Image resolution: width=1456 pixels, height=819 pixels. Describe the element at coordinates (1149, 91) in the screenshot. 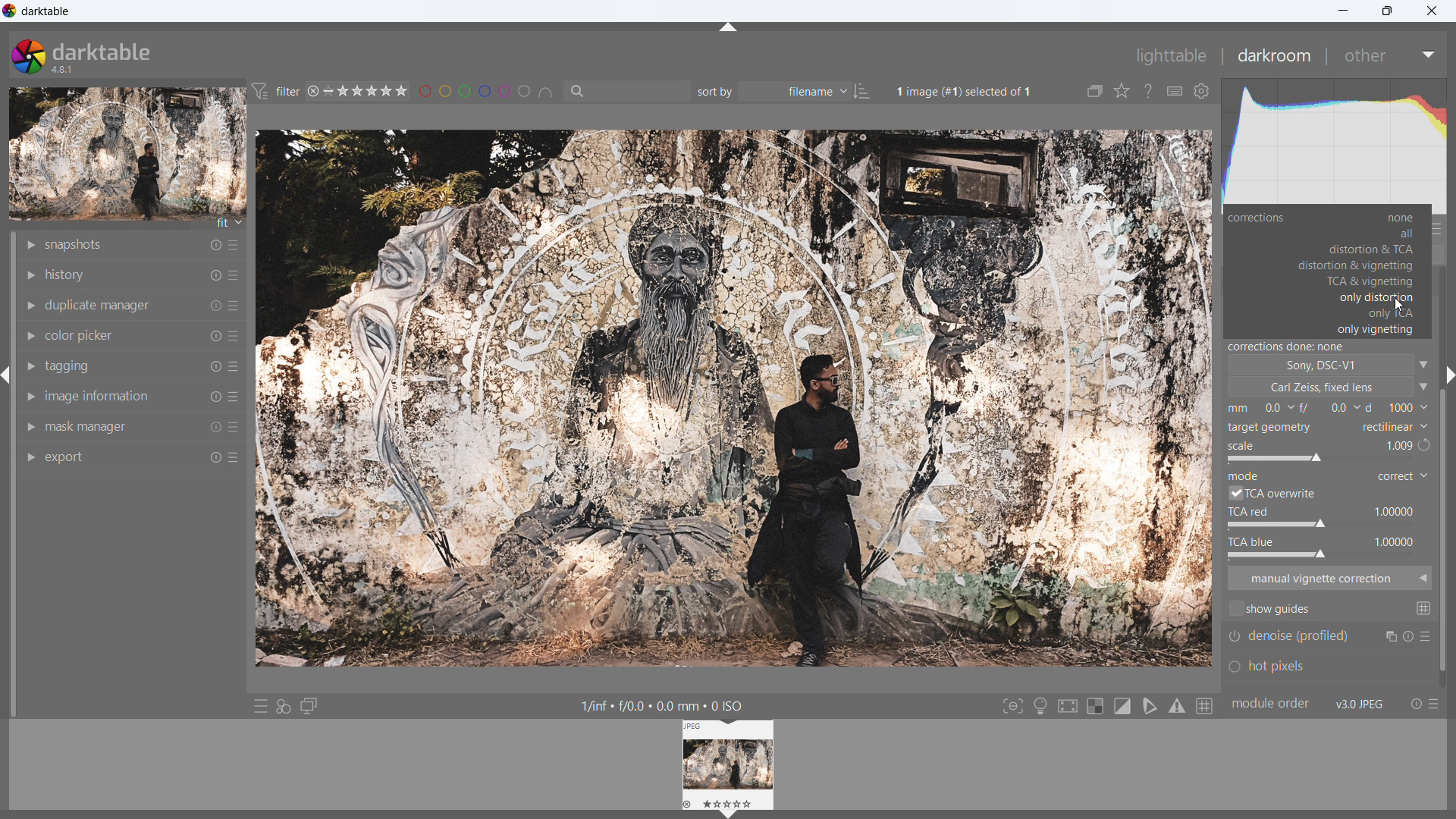

I see `enable this and click on a control element to get online help` at that location.